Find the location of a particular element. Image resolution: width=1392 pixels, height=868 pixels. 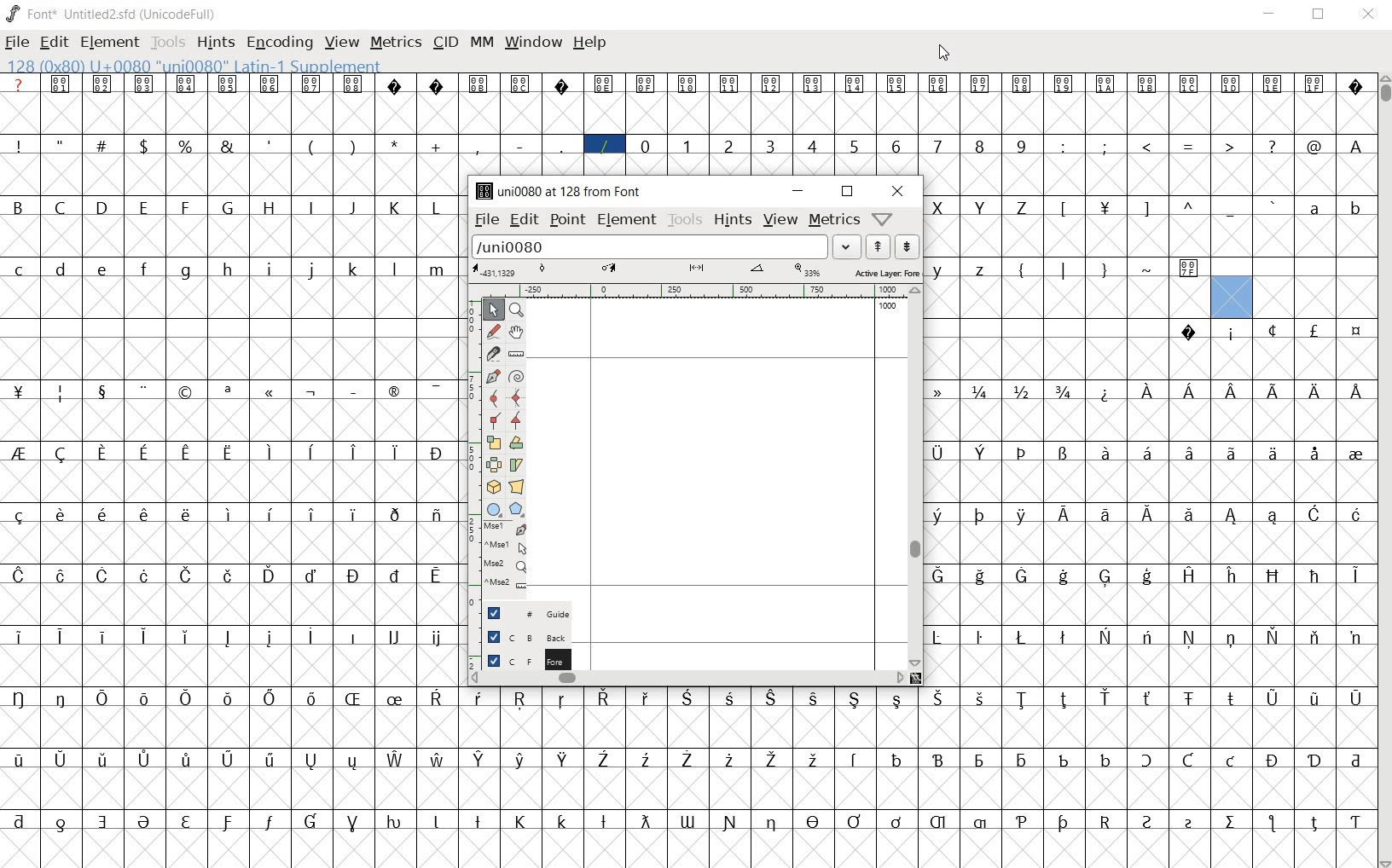

glyph is located at coordinates (310, 270).